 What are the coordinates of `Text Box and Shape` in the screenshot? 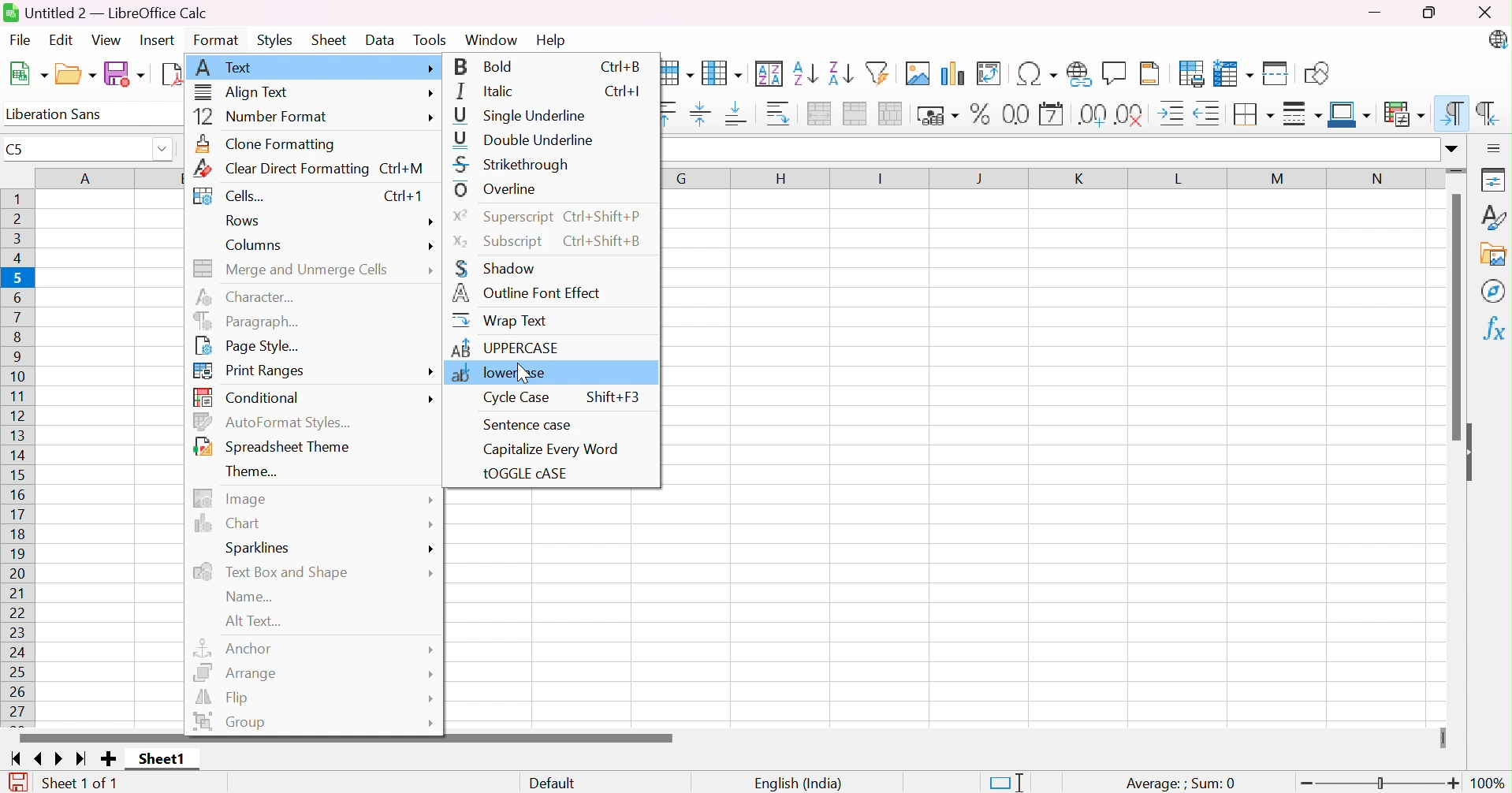 It's located at (274, 572).